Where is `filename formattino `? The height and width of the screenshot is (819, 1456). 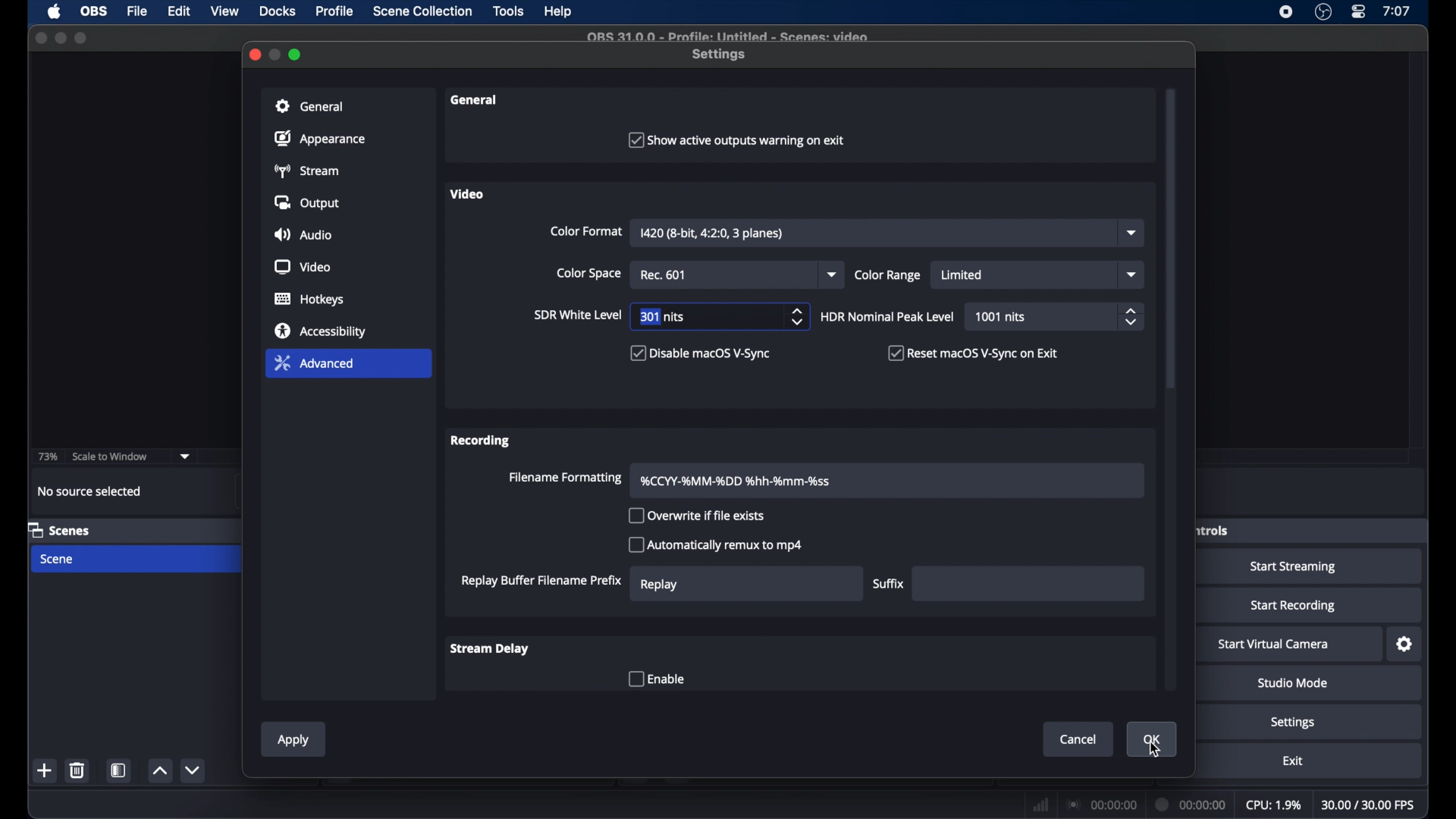 filename formattino  is located at coordinates (567, 478).